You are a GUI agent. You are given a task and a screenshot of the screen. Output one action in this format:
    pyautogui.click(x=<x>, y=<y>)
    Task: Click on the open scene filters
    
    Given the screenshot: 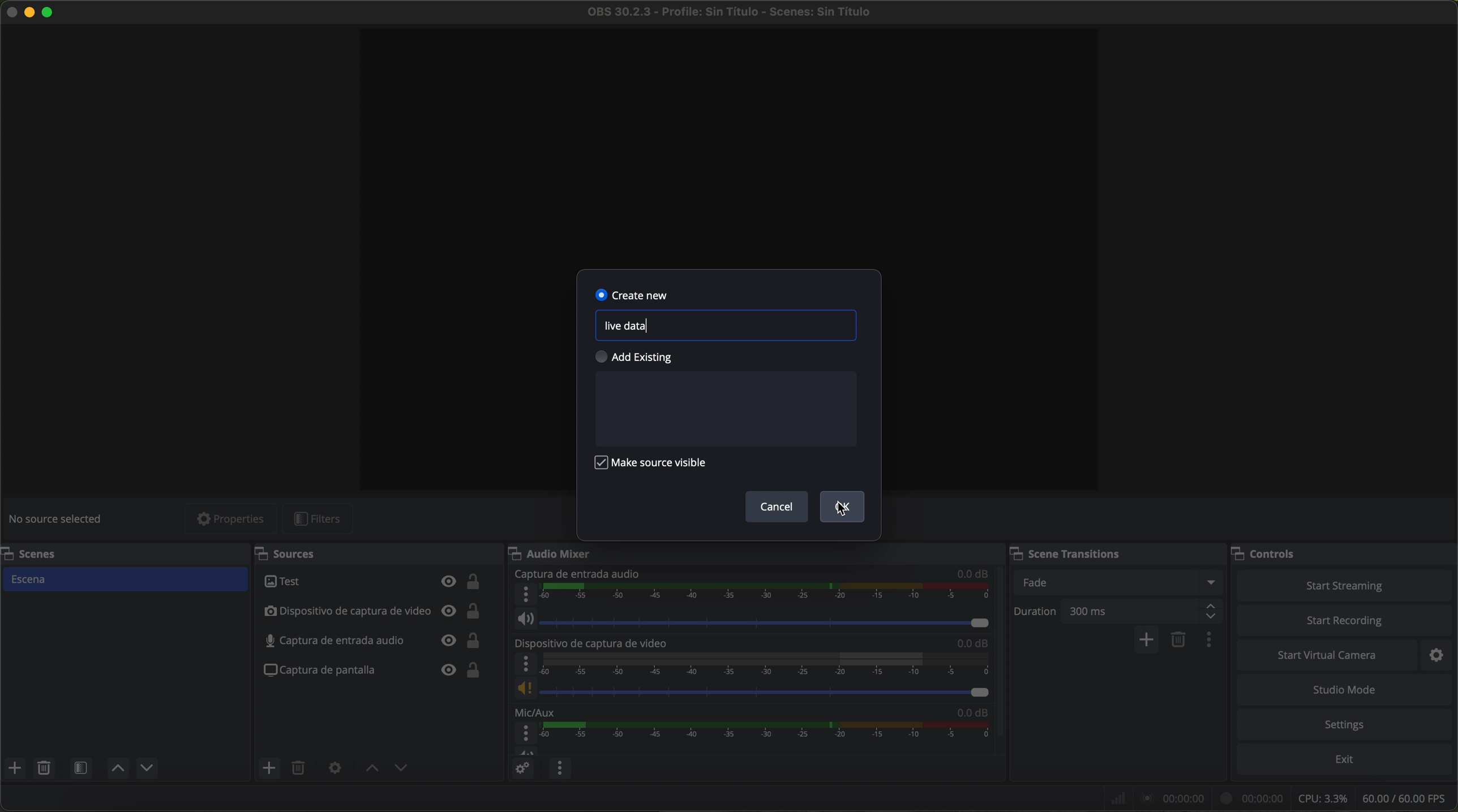 What is the action you would take?
    pyautogui.click(x=80, y=767)
    